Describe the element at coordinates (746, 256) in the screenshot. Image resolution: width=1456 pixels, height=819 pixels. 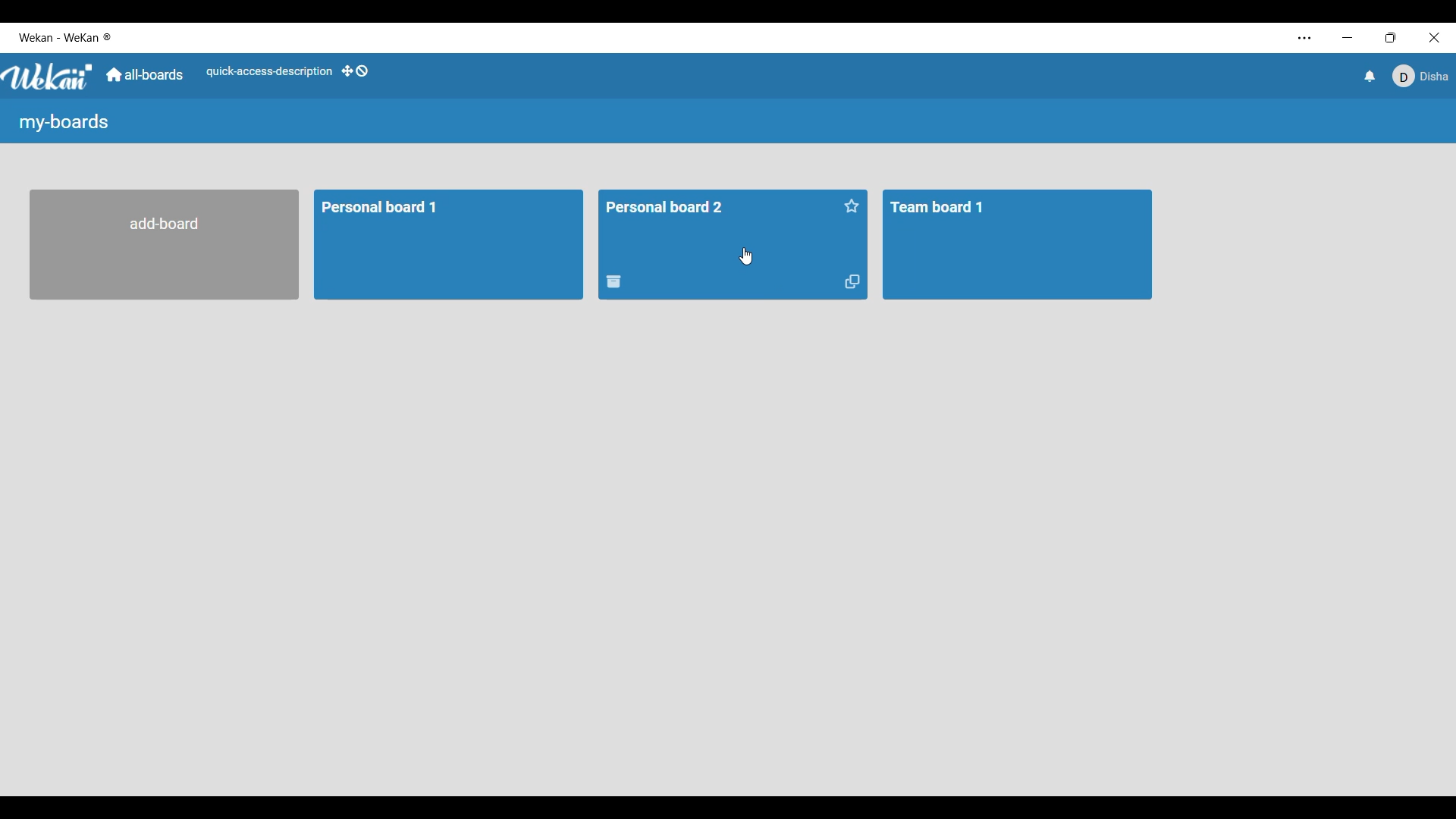
I see `cursor` at that location.